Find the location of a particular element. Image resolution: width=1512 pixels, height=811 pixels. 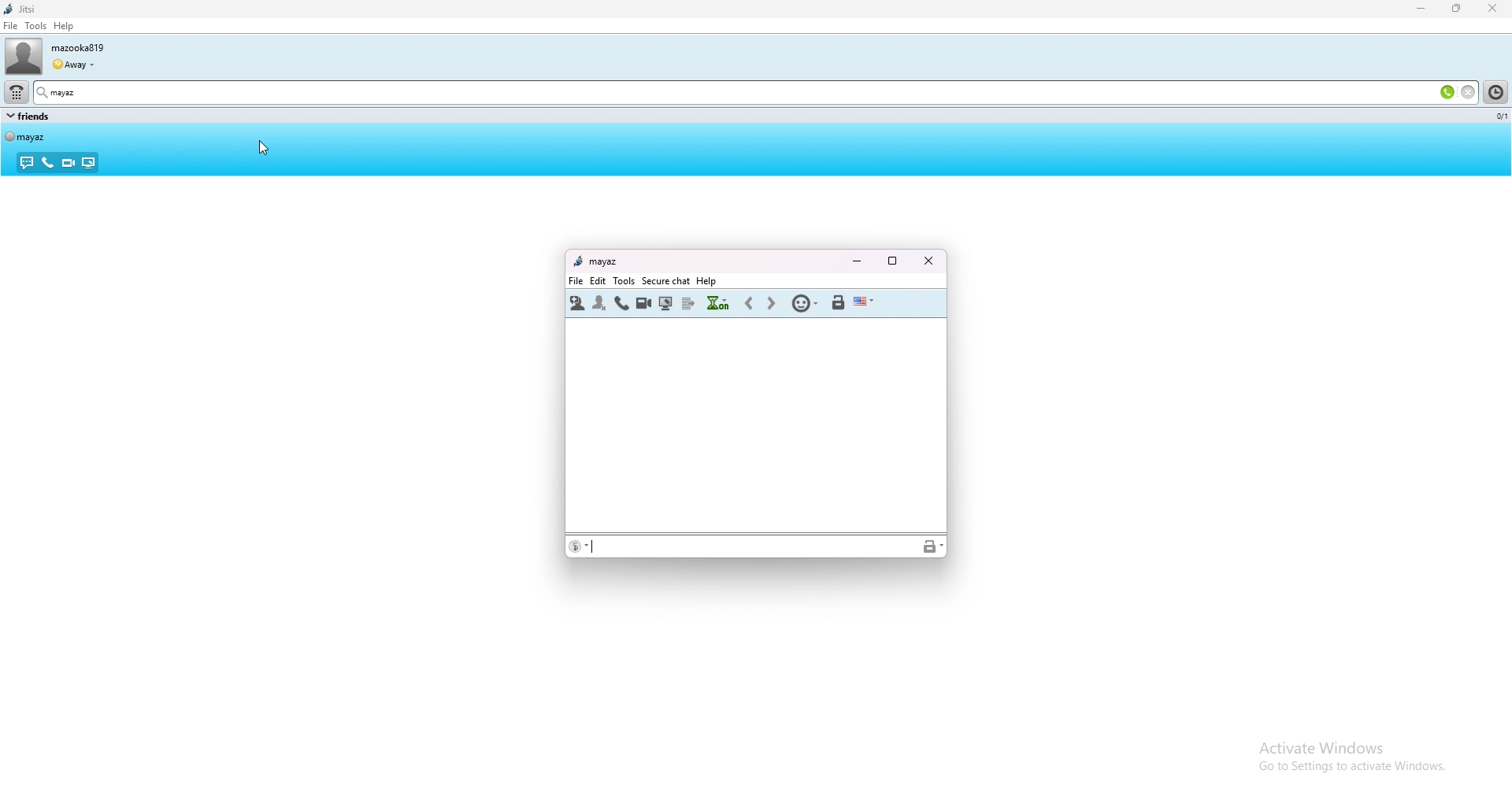

call contact is located at coordinates (46, 162).